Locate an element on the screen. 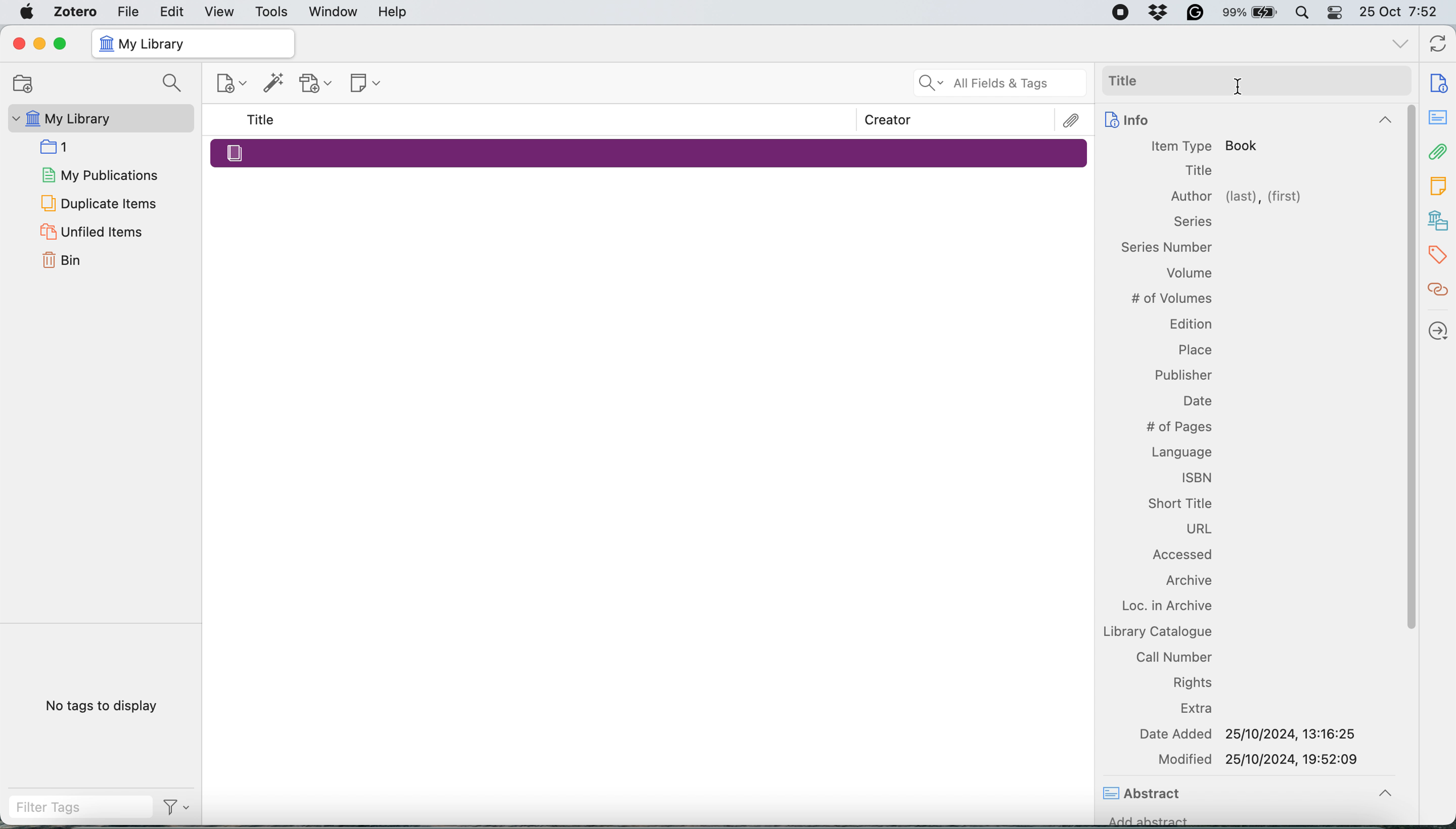 The image size is (1456, 829). Extra is located at coordinates (1199, 709).